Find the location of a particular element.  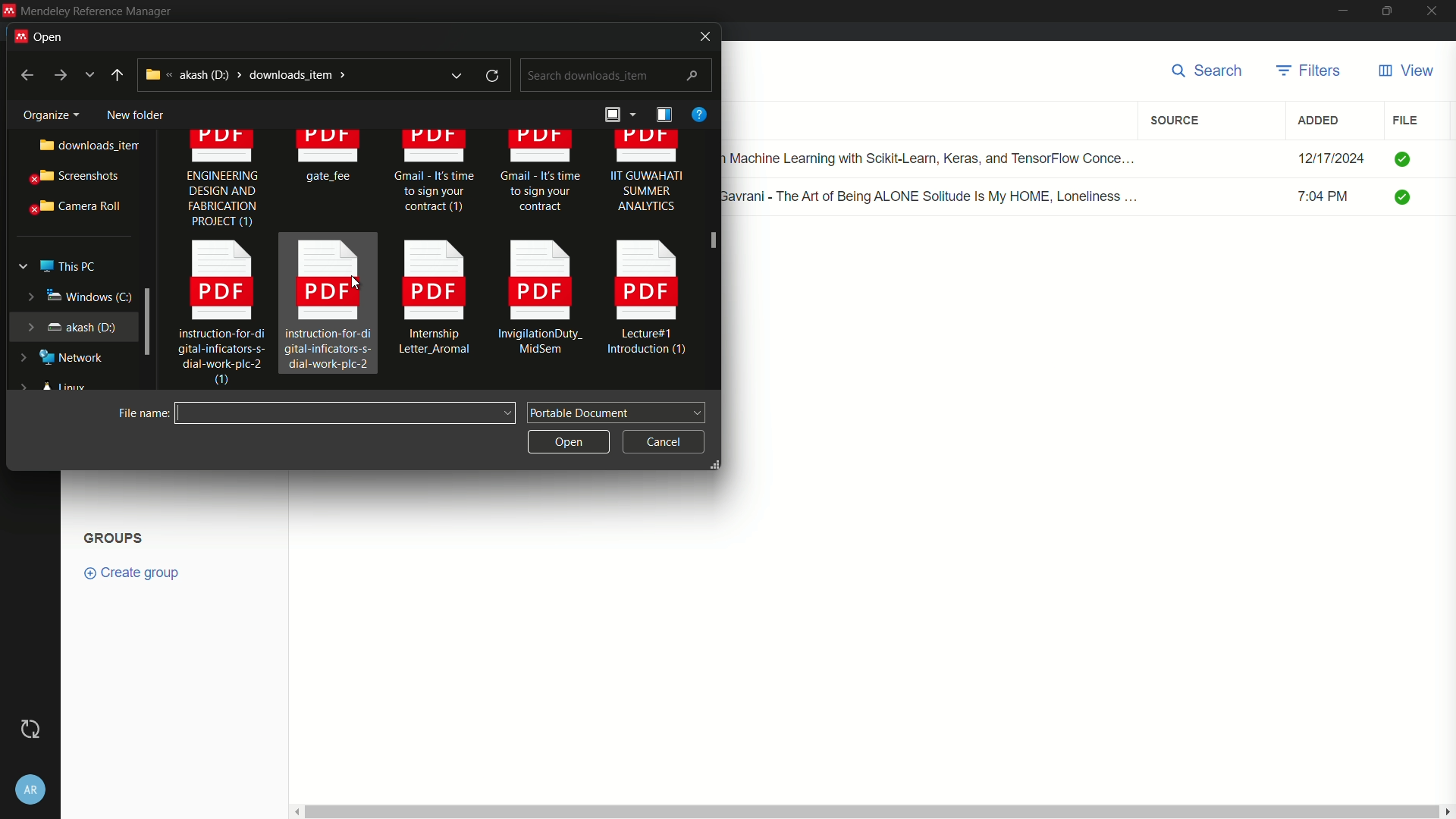

expand is located at coordinates (456, 75).